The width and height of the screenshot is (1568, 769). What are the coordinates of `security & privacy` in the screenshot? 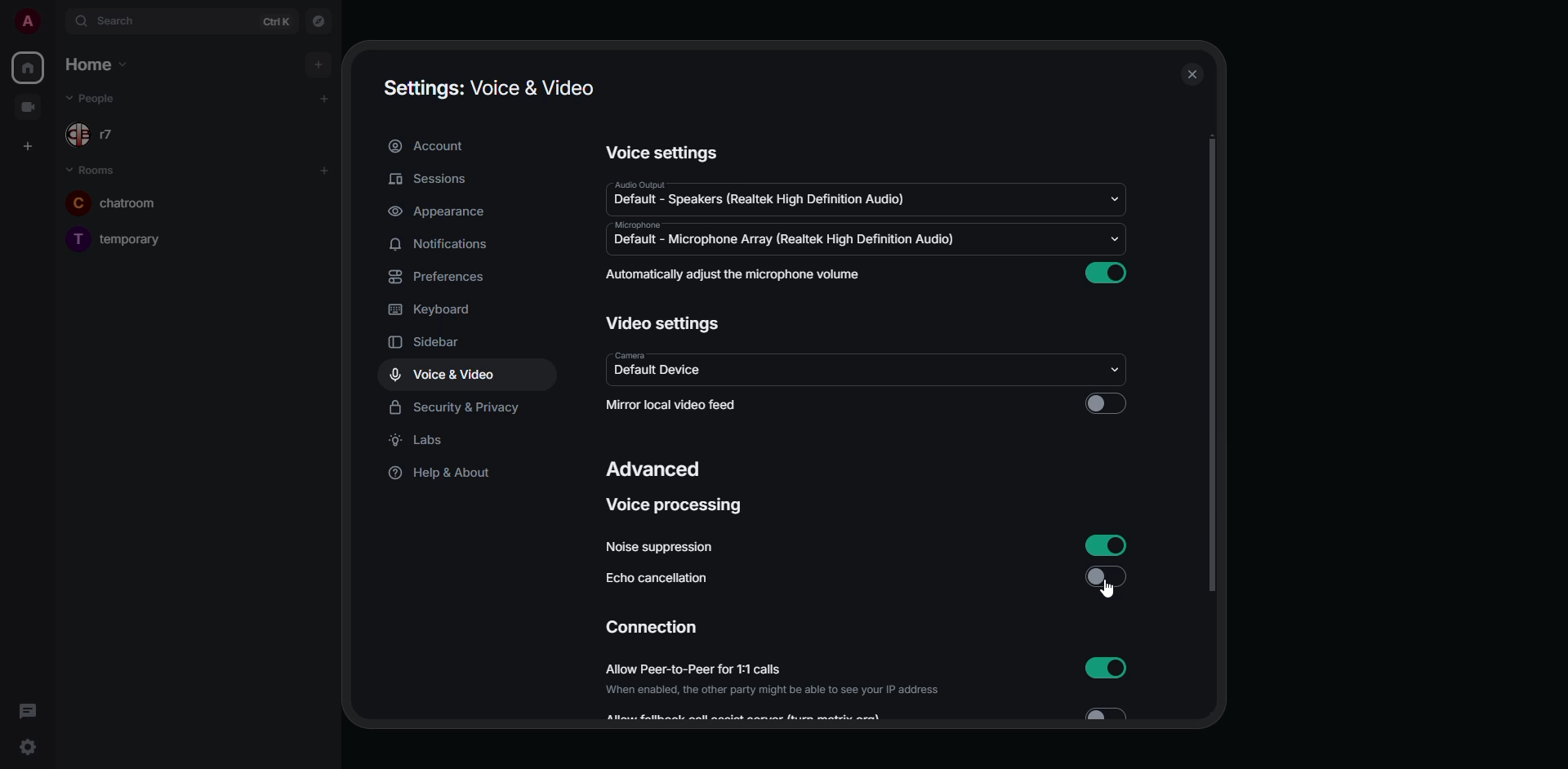 It's located at (458, 407).